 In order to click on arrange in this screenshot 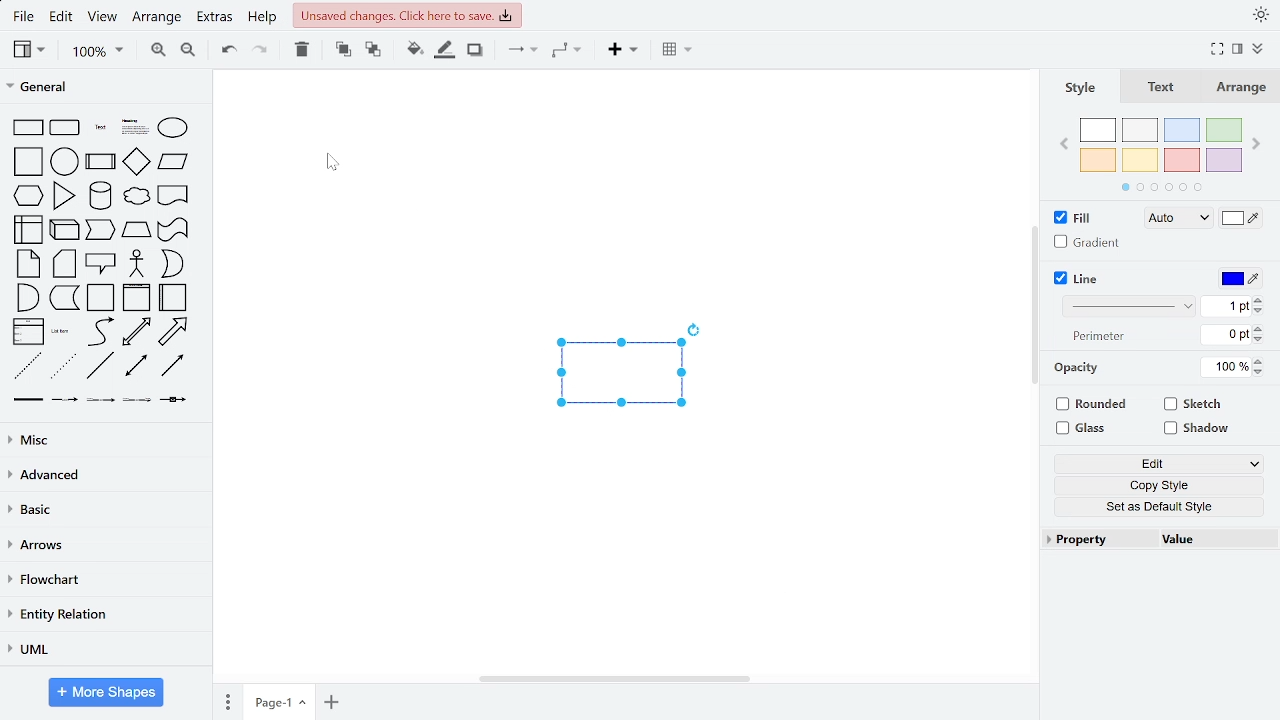, I will do `click(1242, 87)`.